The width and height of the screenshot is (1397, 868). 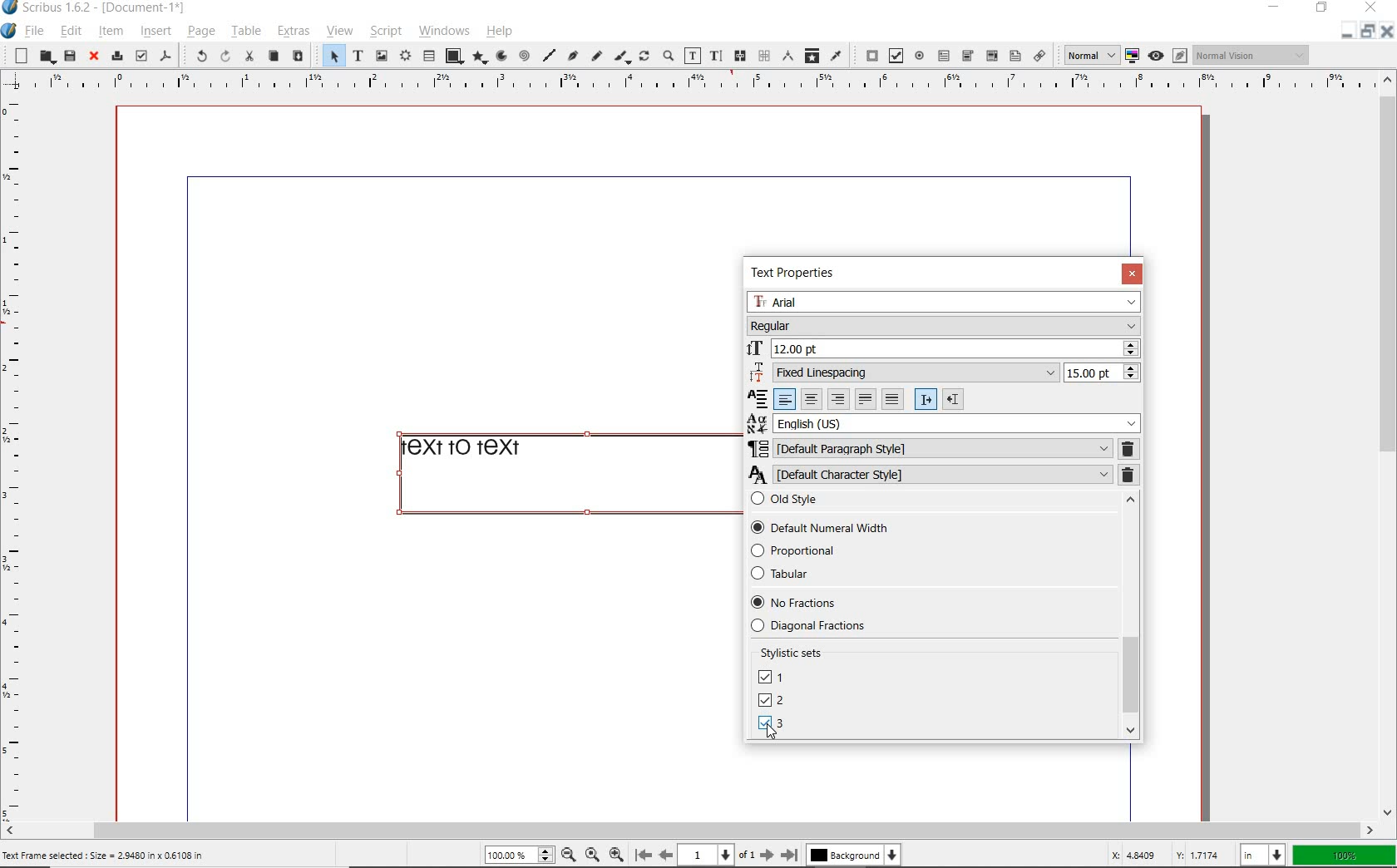 What do you see at coordinates (429, 57) in the screenshot?
I see `table` at bounding box center [429, 57].